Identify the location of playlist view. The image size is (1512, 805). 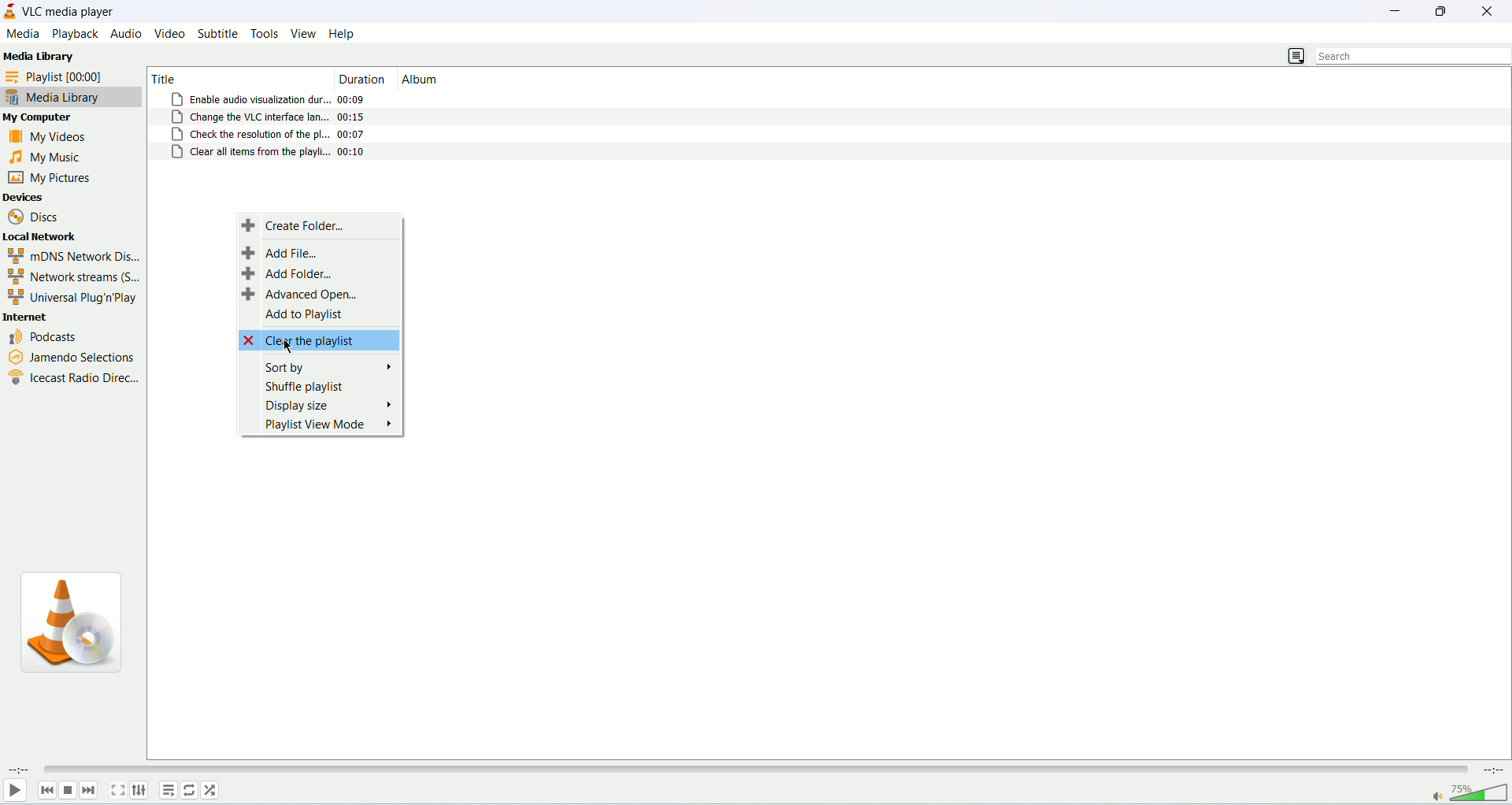
(1295, 54).